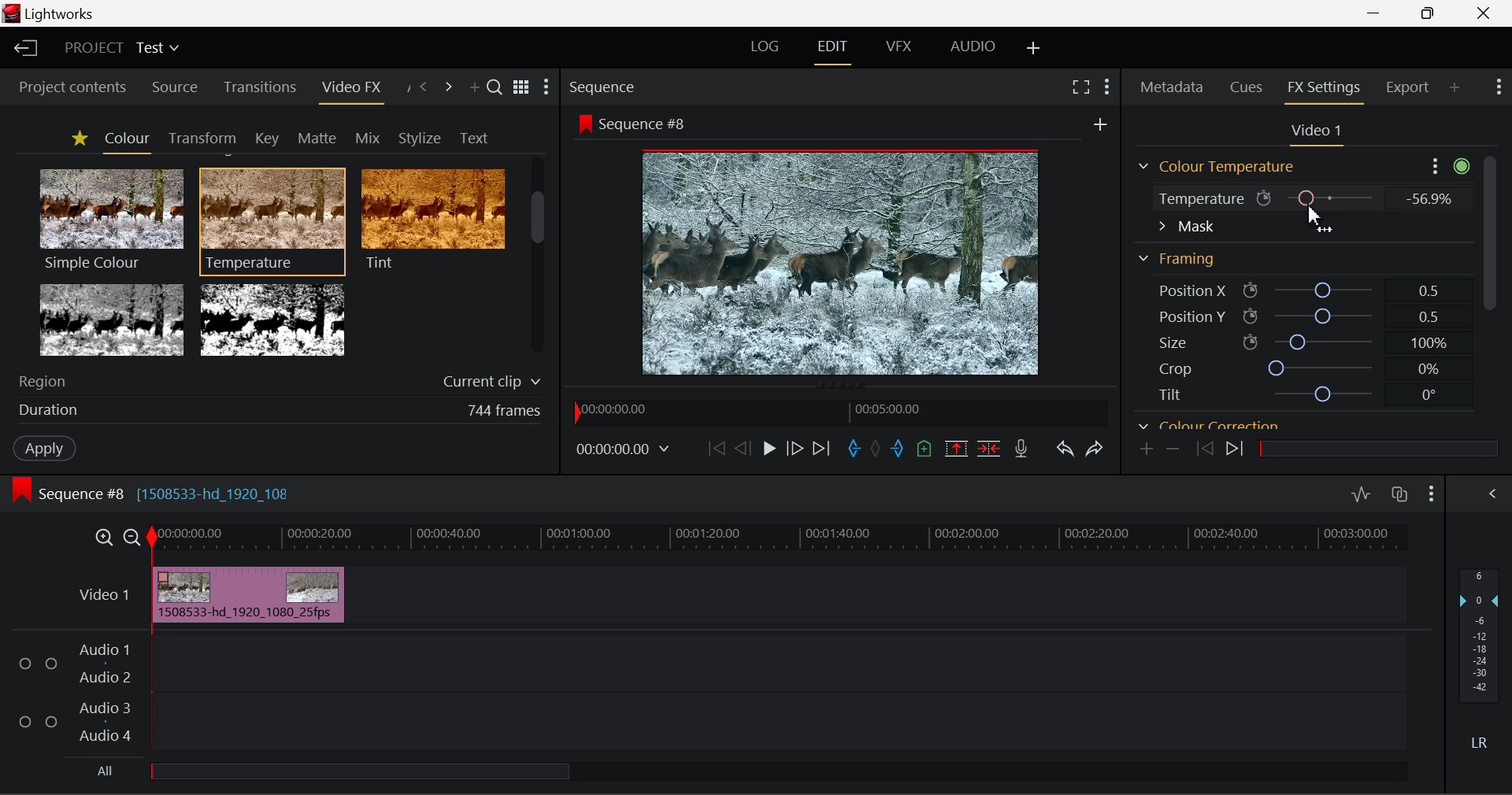  Describe the element at coordinates (134, 537) in the screenshot. I see `Timeline Zoom Out` at that location.